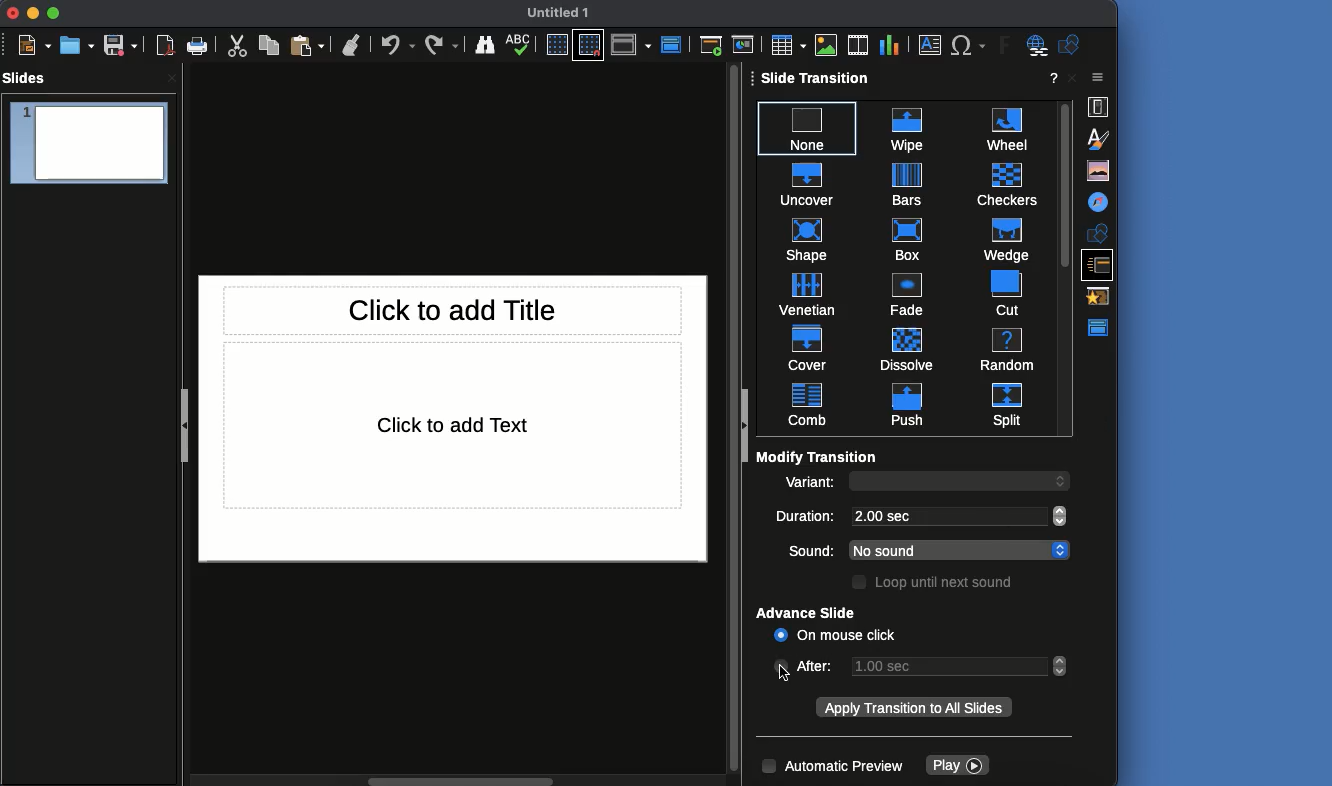  I want to click on scroll, so click(1062, 667).